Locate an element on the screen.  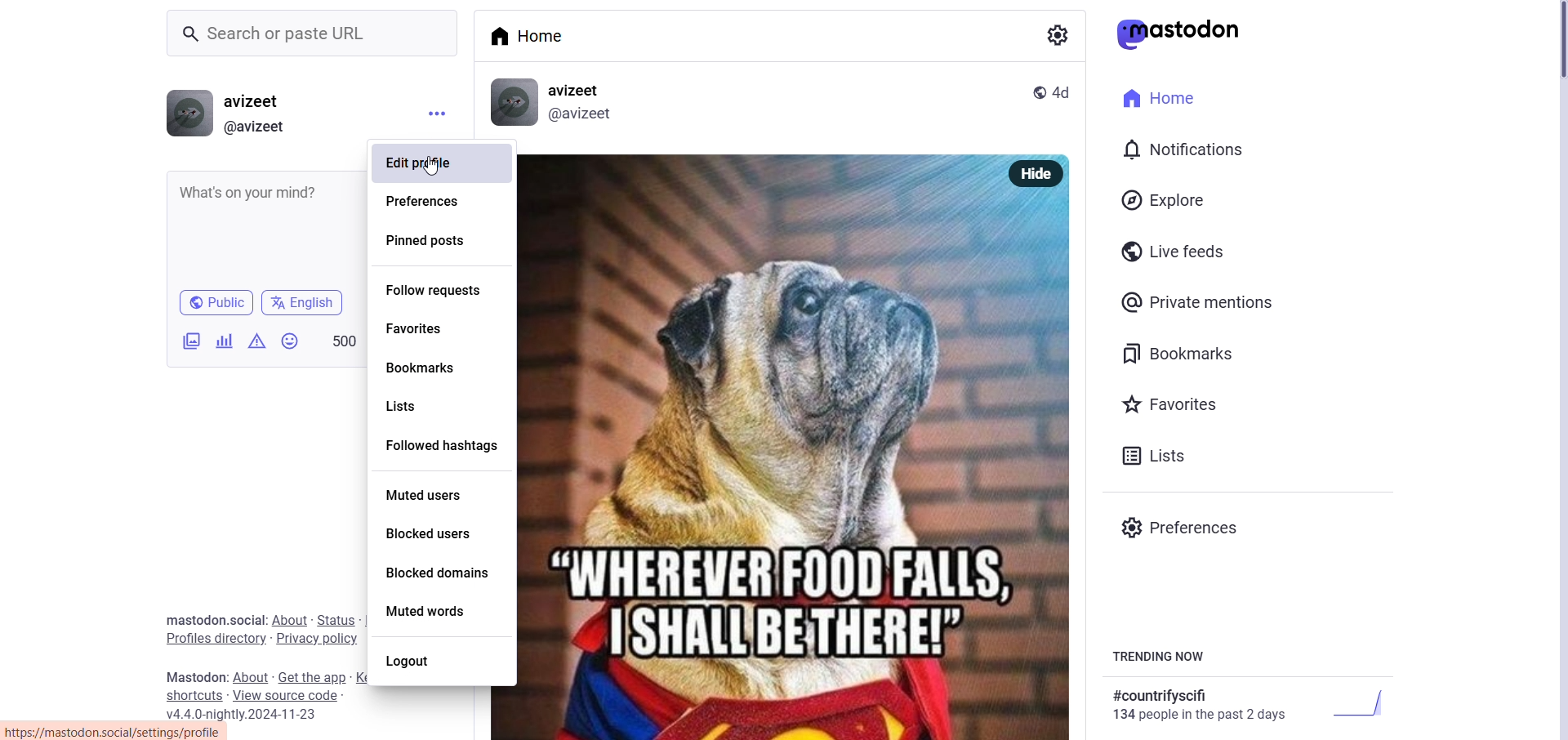
lists is located at coordinates (417, 403).